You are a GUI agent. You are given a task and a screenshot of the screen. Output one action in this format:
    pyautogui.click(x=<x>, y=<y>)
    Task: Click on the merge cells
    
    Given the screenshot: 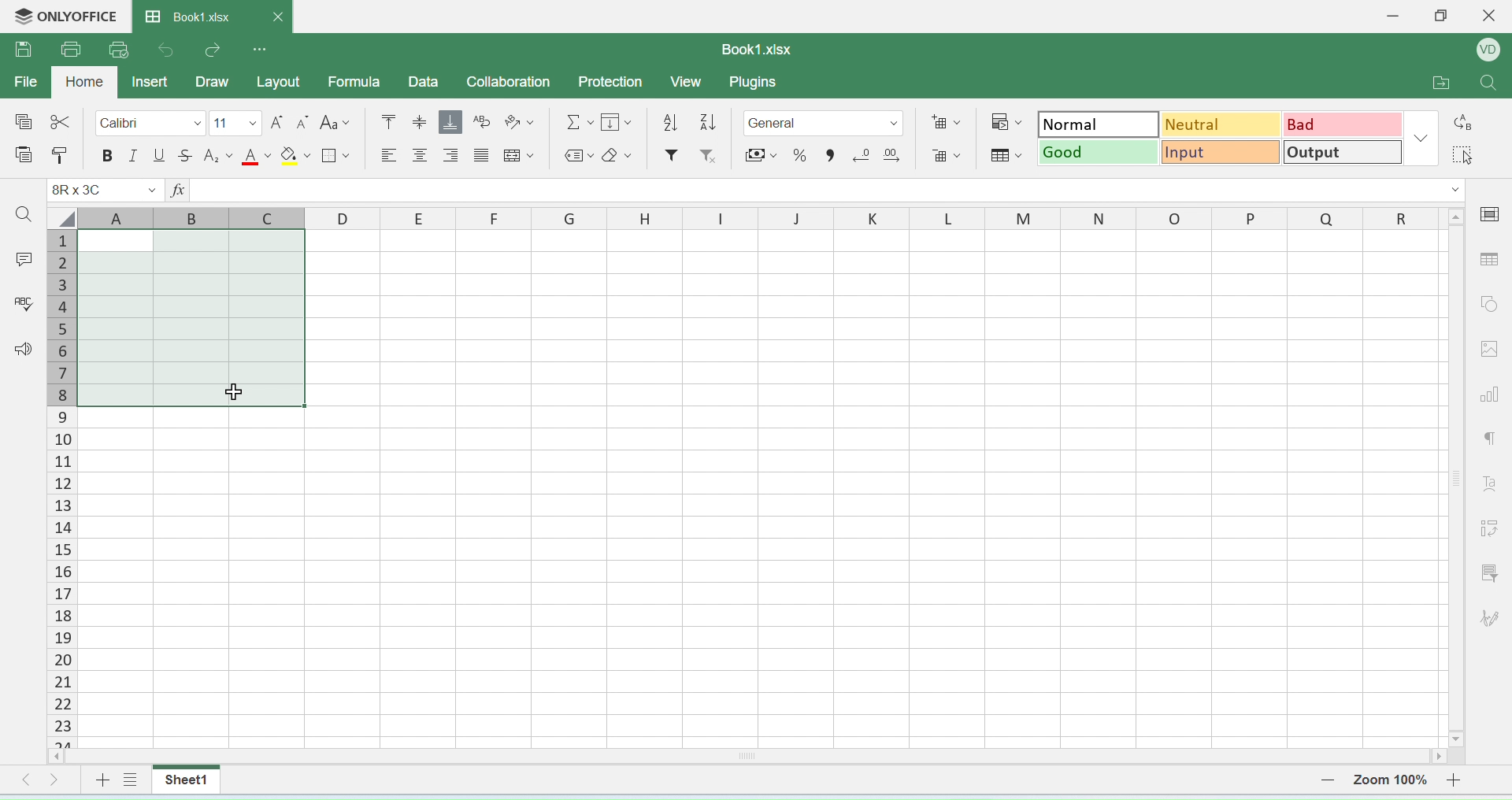 What is the action you would take?
    pyautogui.click(x=518, y=157)
    